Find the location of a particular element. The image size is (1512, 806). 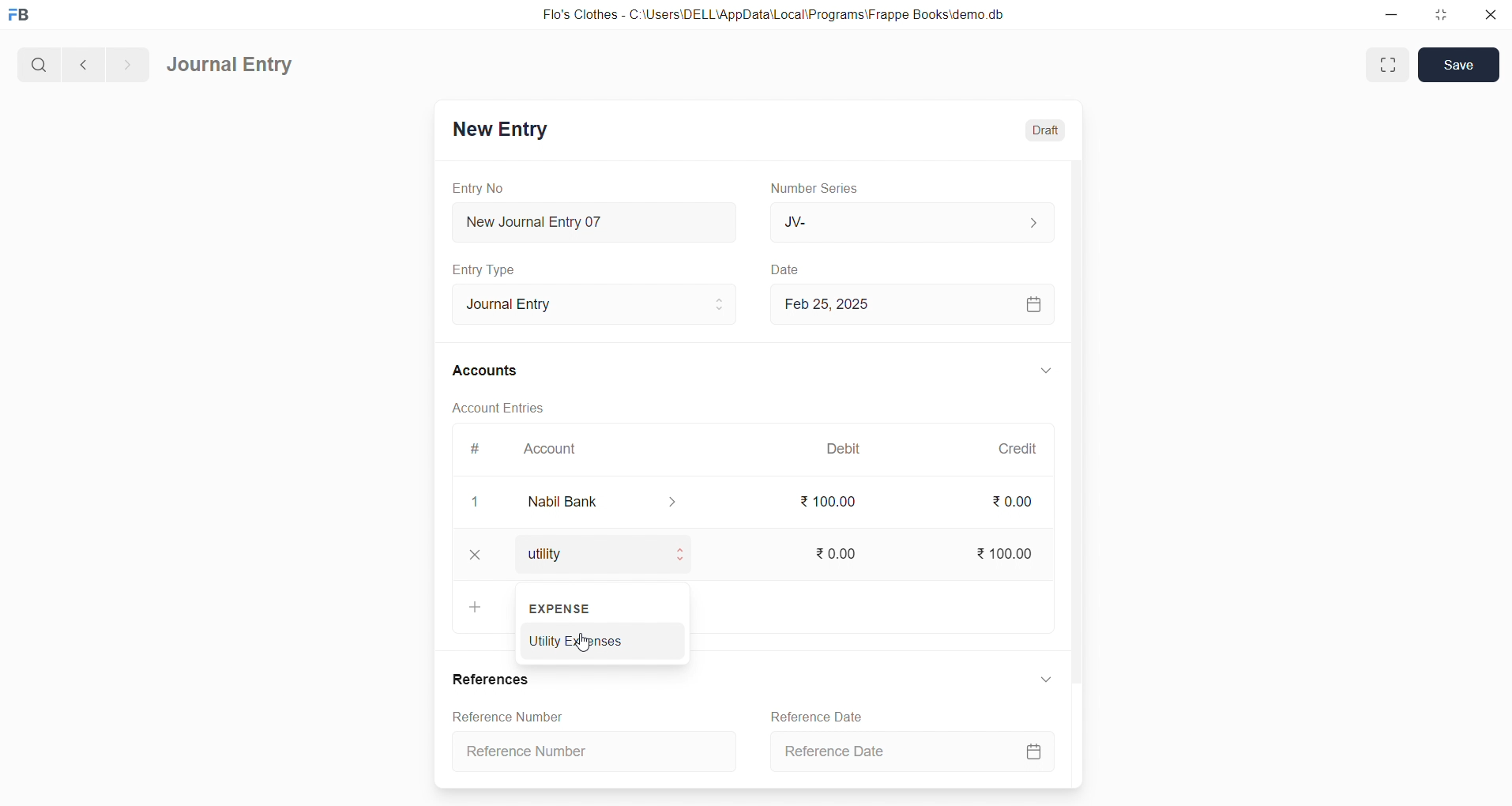

Utility Expenses is located at coordinates (605, 639).